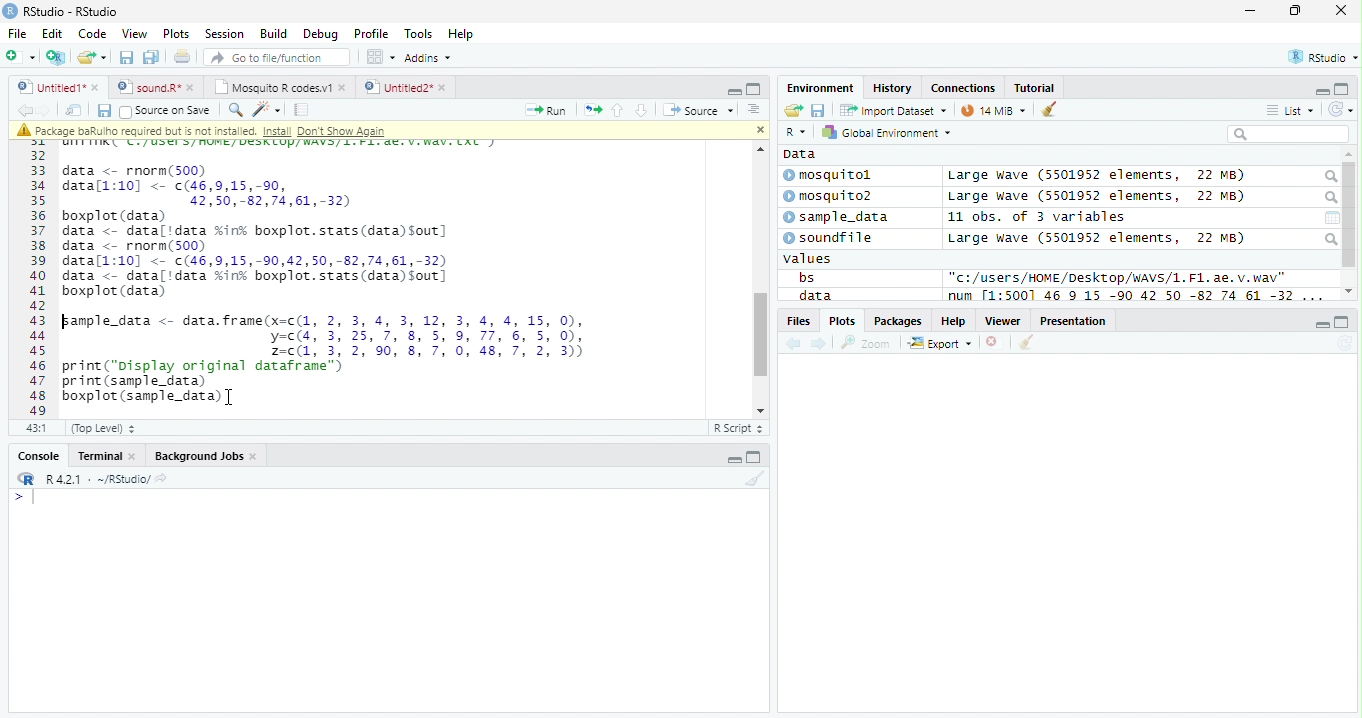 The width and height of the screenshot is (1362, 718). I want to click on Background Jobs, so click(204, 456).